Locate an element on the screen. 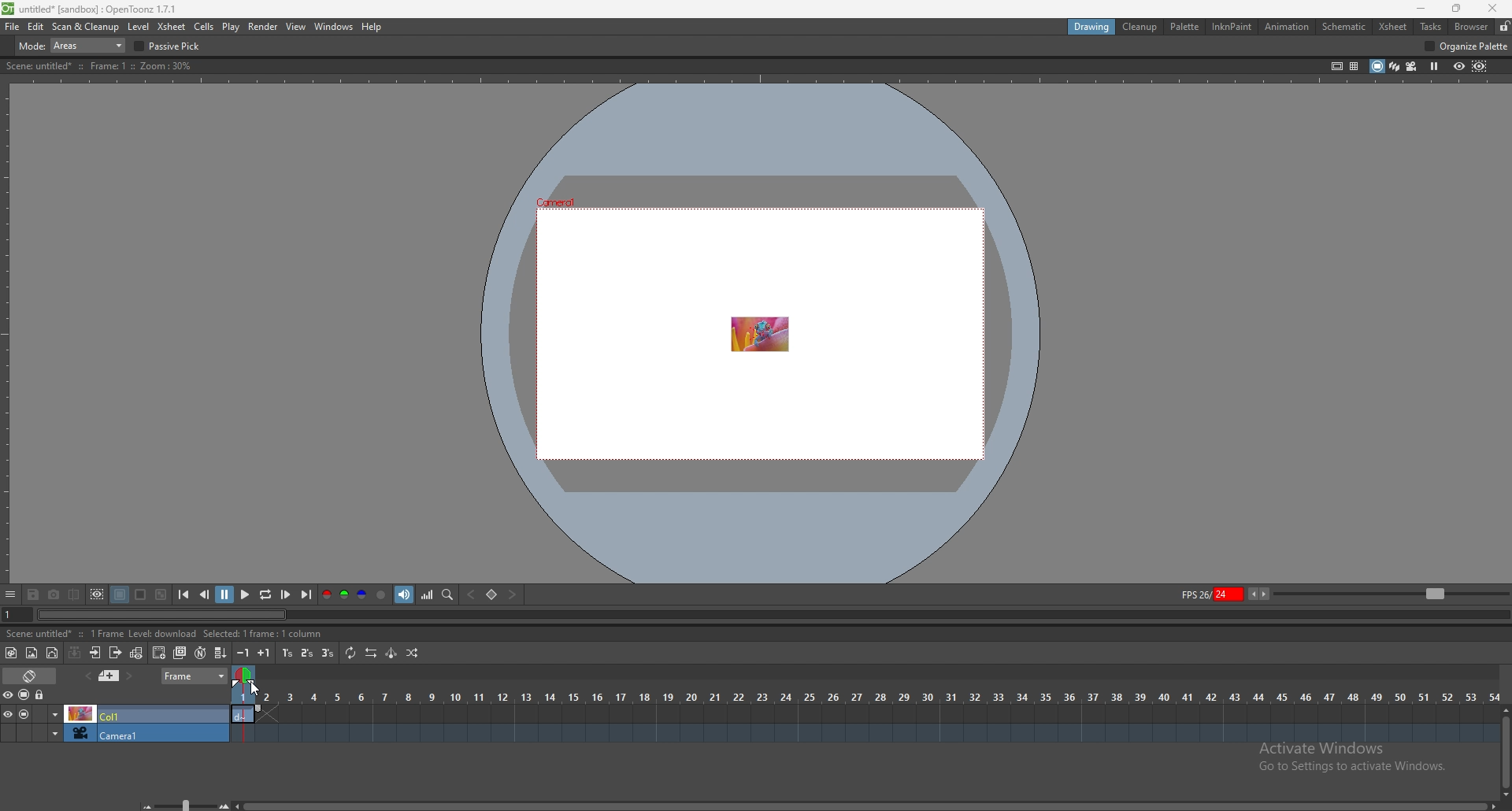  edit is located at coordinates (36, 27).